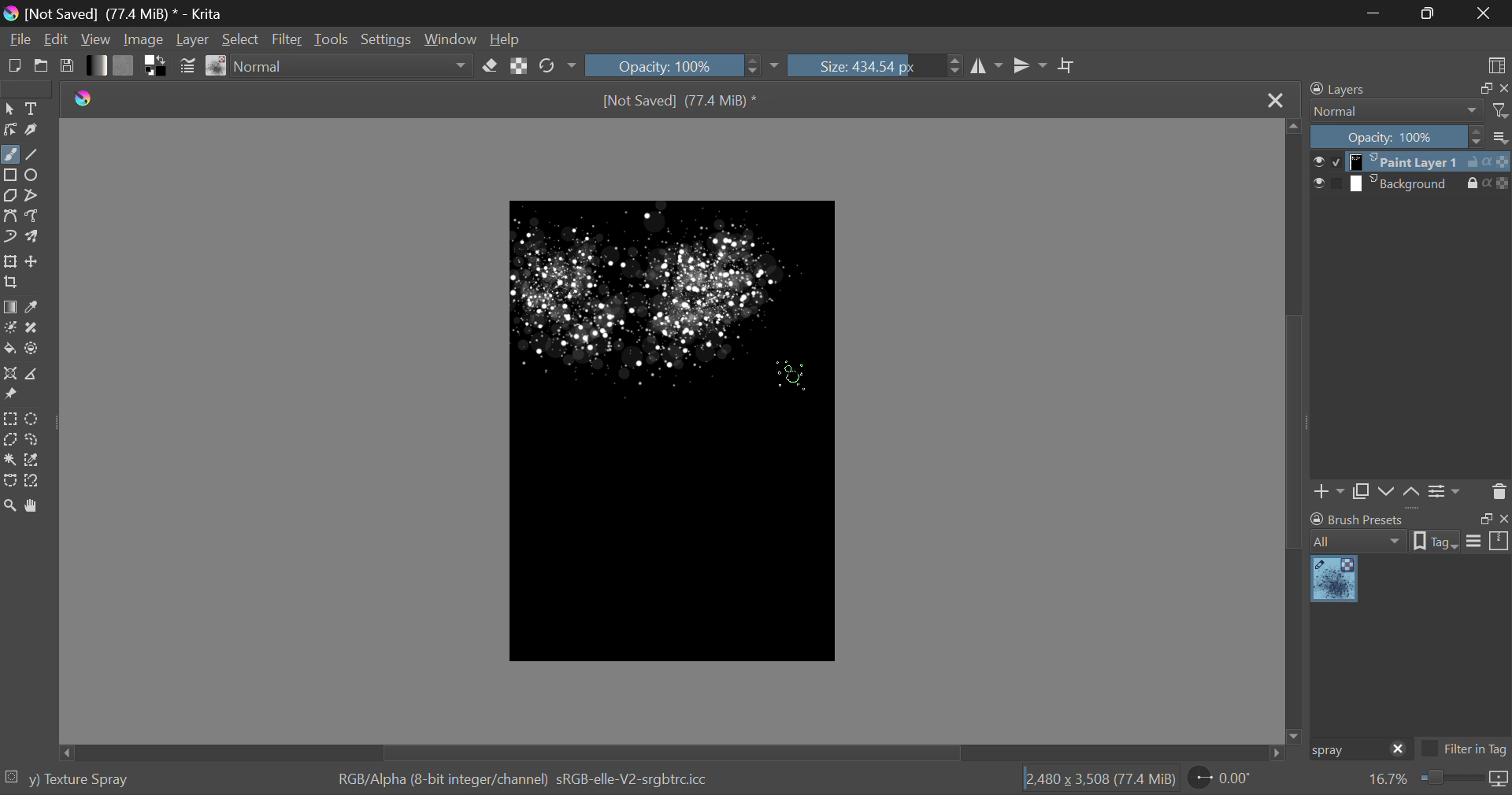 Image resolution: width=1512 pixels, height=795 pixels. What do you see at coordinates (34, 130) in the screenshot?
I see `Calligraphic Tool` at bounding box center [34, 130].